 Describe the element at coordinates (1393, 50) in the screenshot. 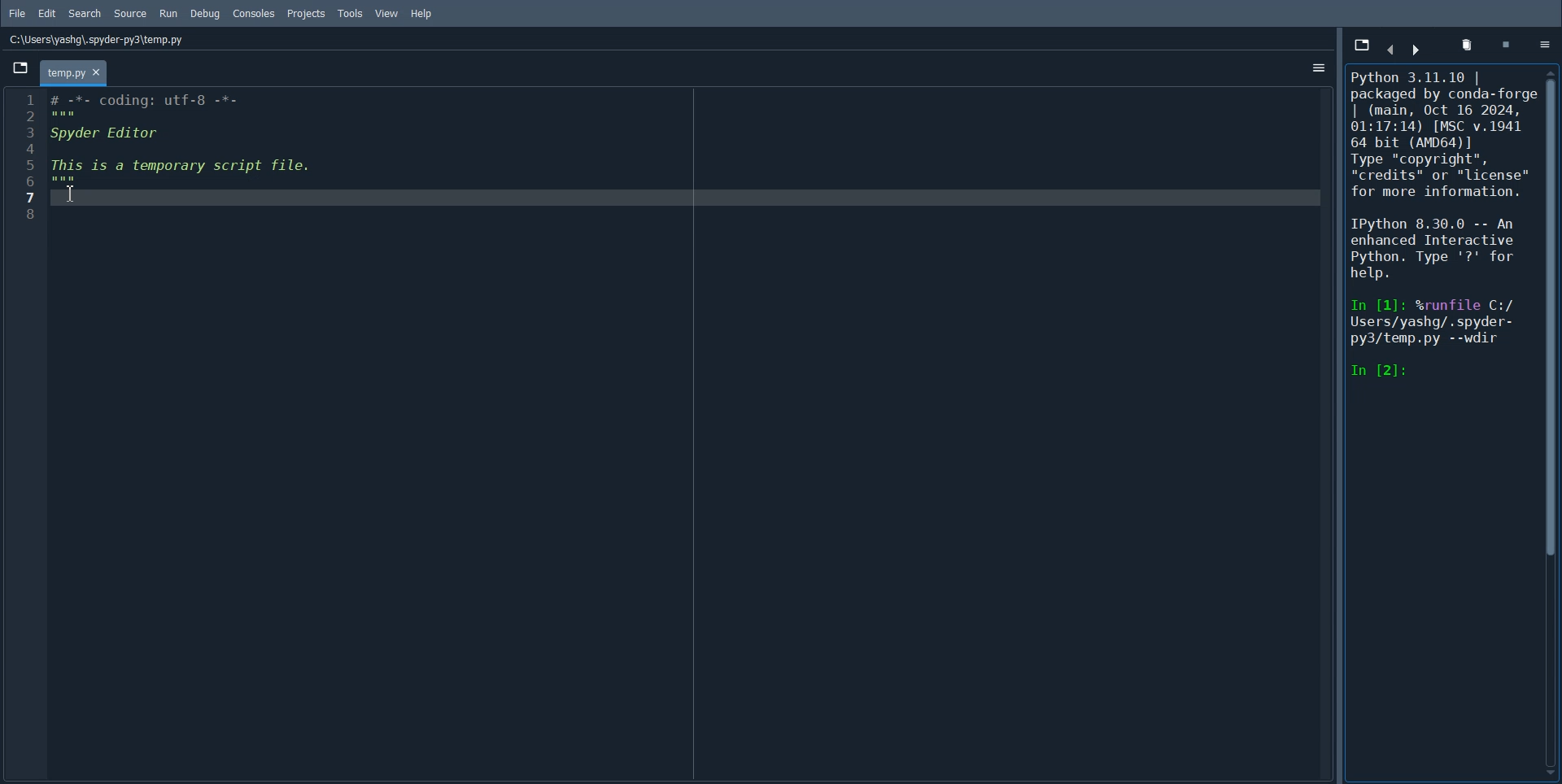

I see `move curser right` at that location.